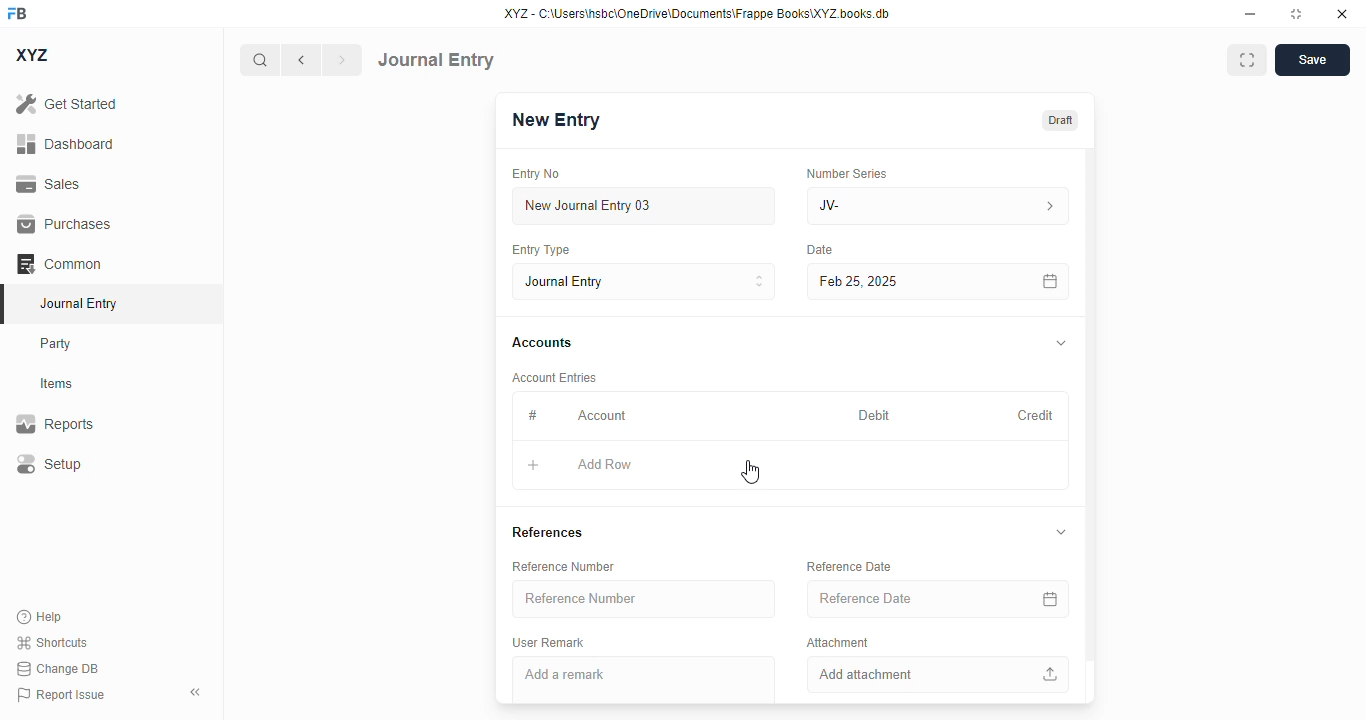 Image resolution: width=1366 pixels, height=720 pixels. What do you see at coordinates (1037, 416) in the screenshot?
I see `credit` at bounding box center [1037, 416].